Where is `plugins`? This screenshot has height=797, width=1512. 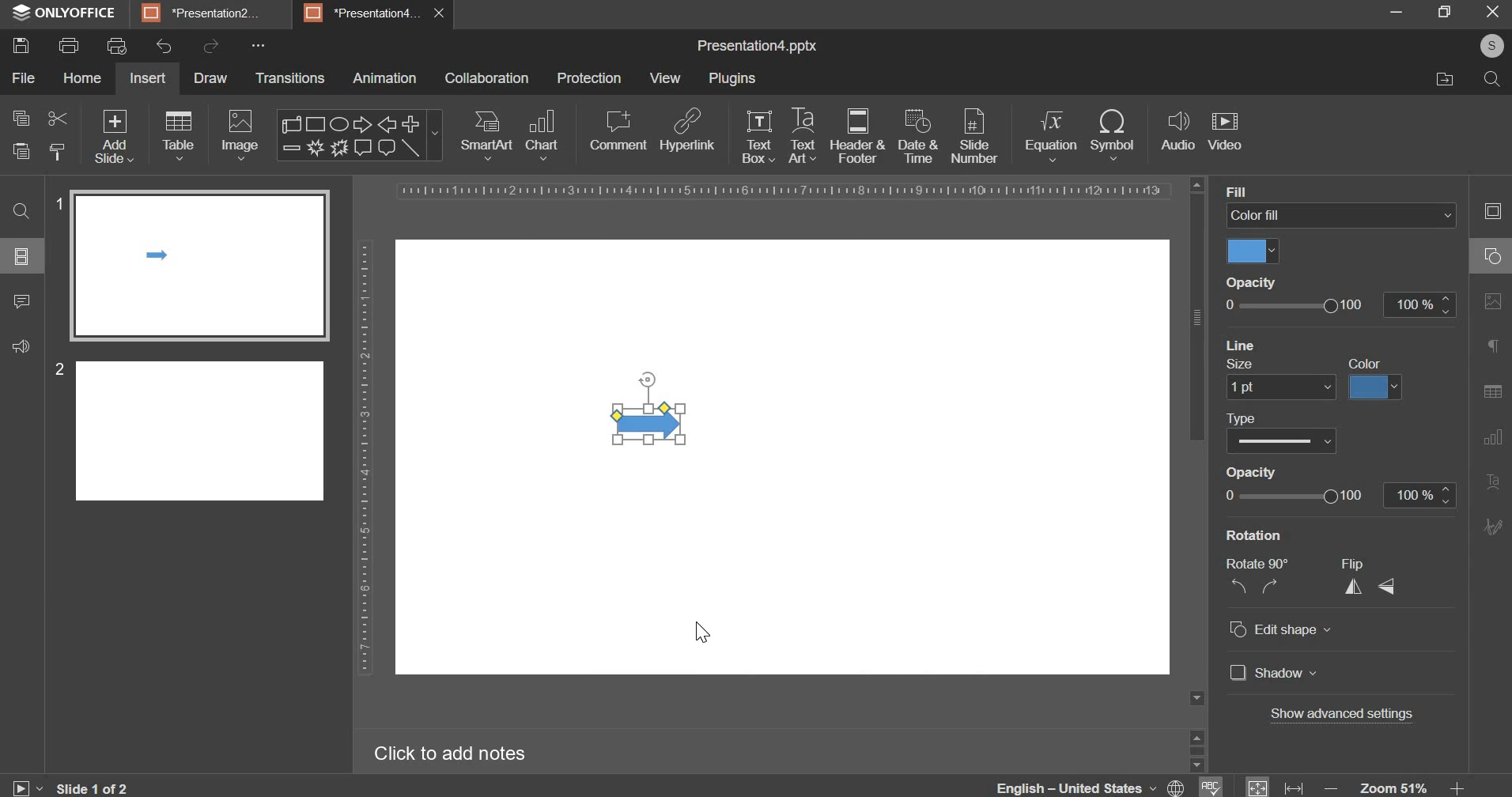 plugins is located at coordinates (731, 79).